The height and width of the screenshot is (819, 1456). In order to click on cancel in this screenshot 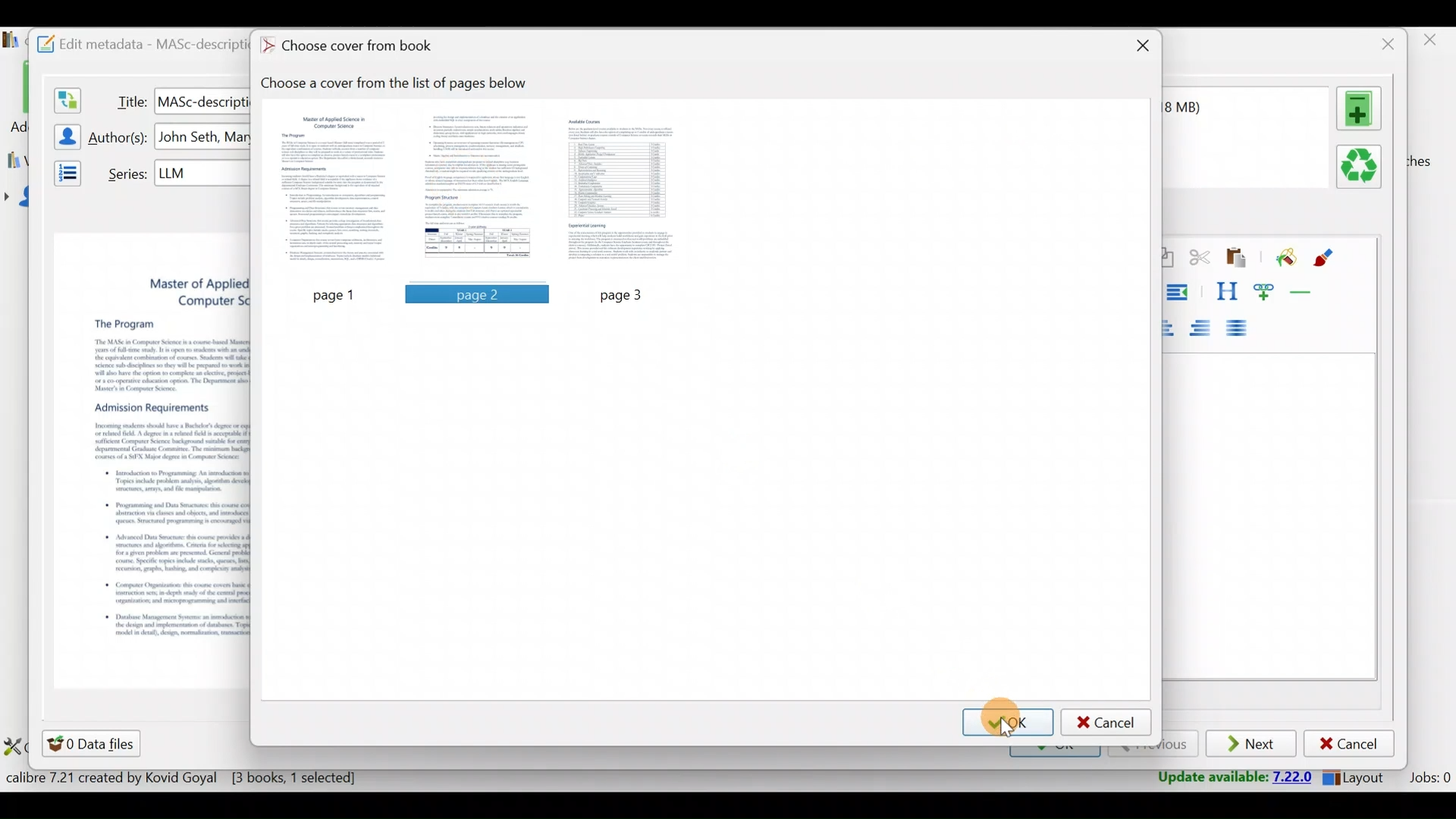, I will do `click(1106, 722)`.